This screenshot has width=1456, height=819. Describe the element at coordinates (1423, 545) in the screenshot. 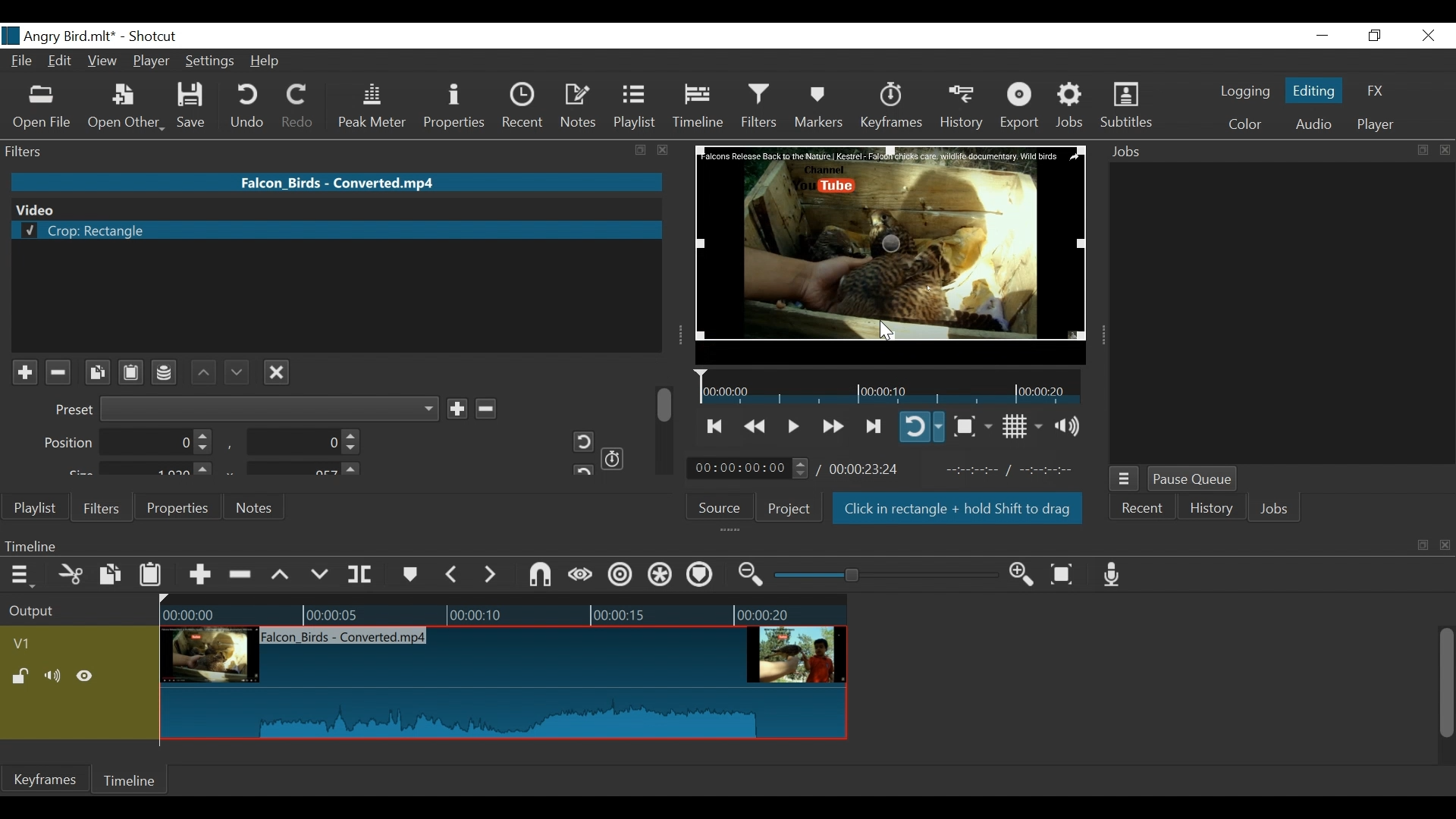

I see `copy` at that location.